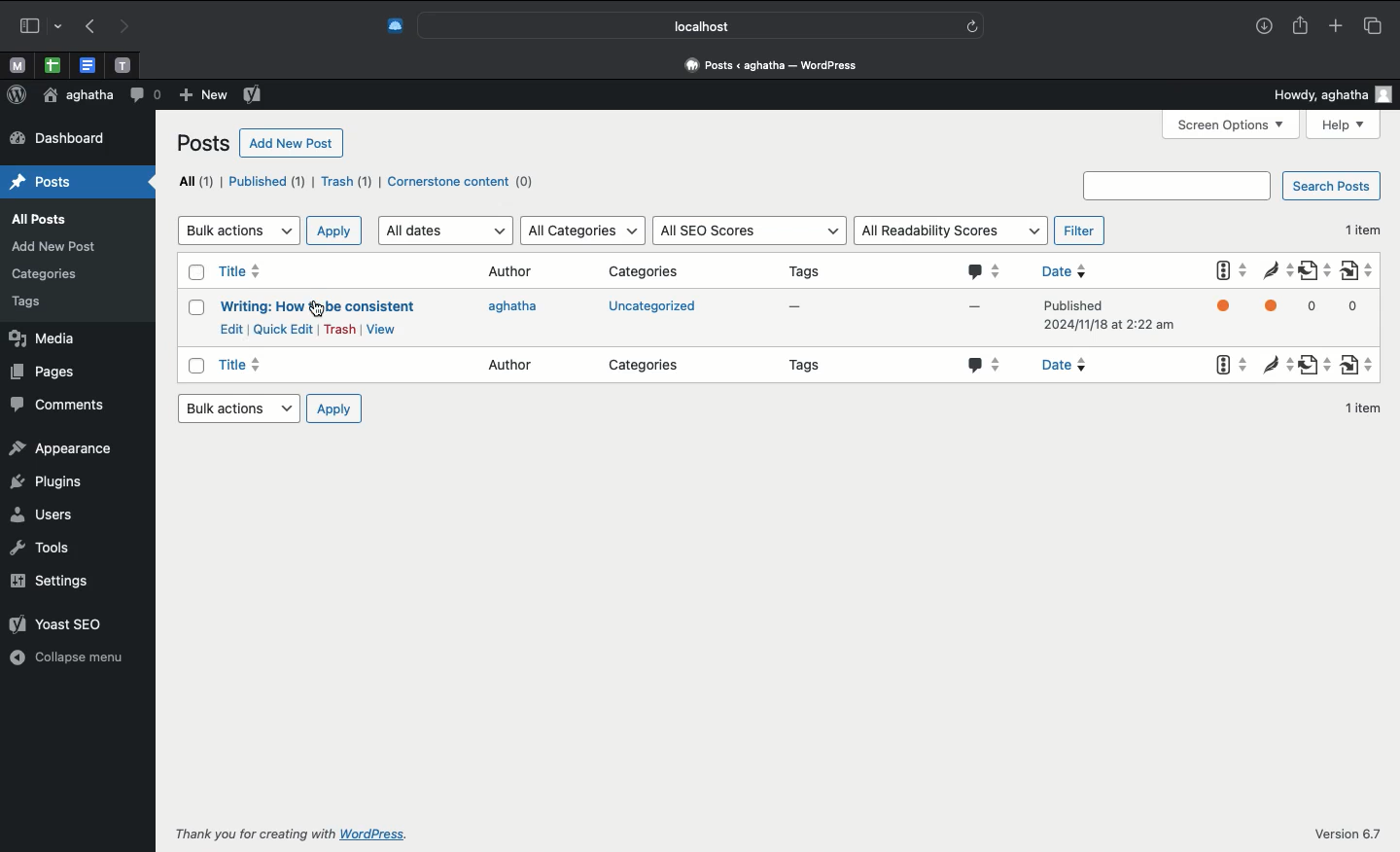 The height and width of the screenshot is (852, 1400). What do you see at coordinates (340, 330) in the screenshot?
I see `Trash` at bounding box center [340, 330].